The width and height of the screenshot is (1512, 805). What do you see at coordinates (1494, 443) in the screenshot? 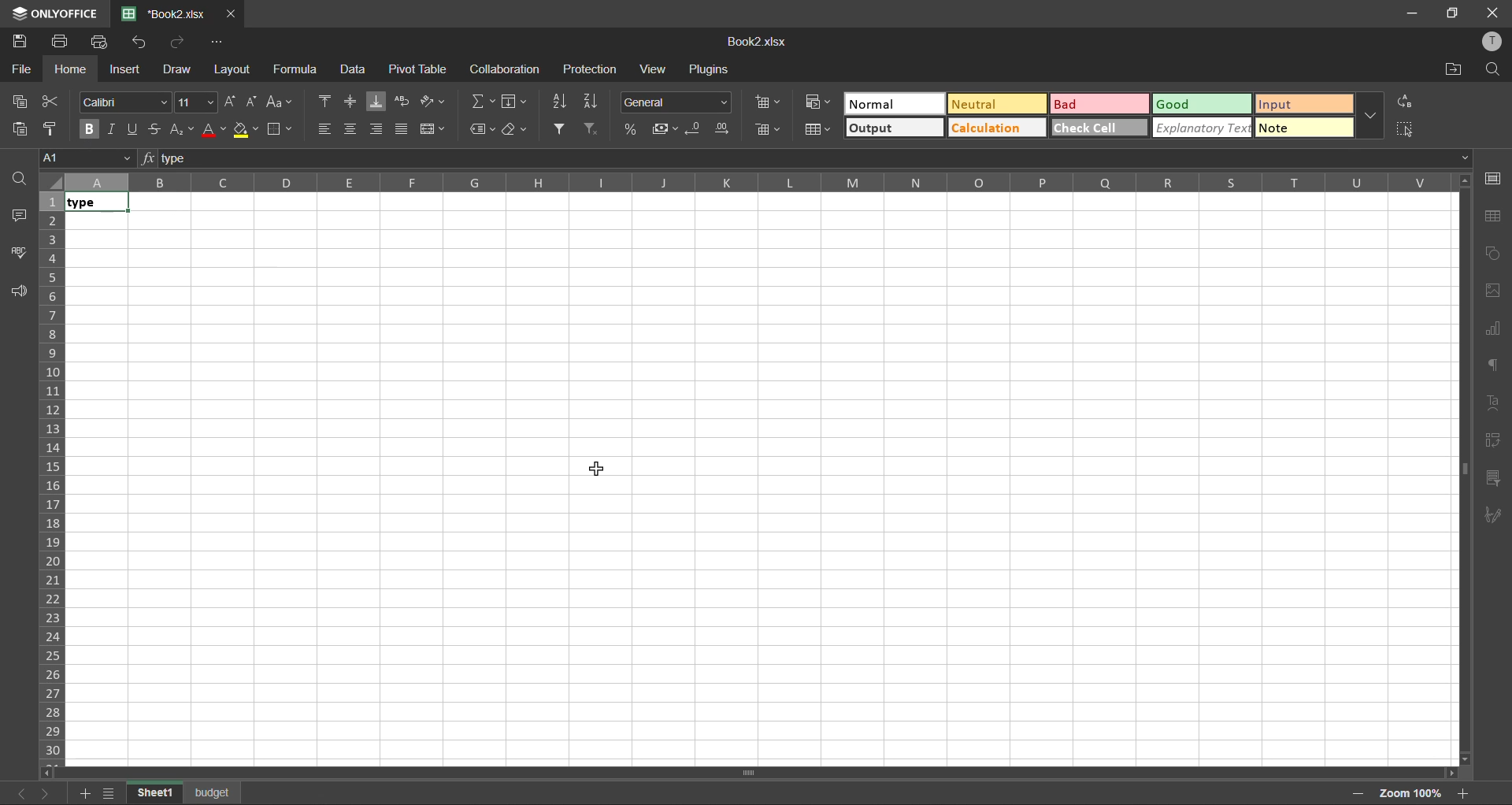
I see `pivot table` at bounding box center [1494, 443].